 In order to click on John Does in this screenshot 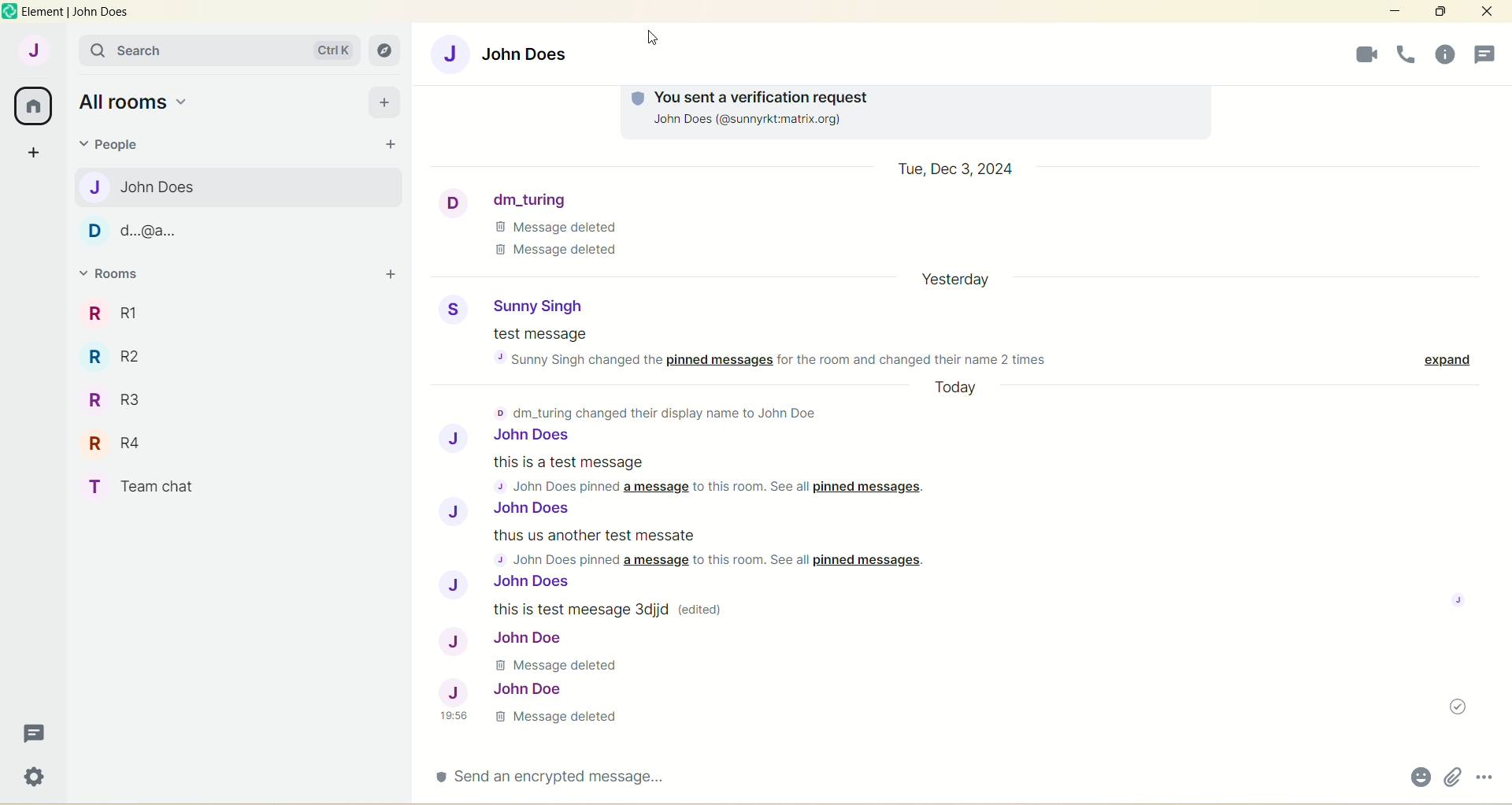, I will do `click(513, 437)`.